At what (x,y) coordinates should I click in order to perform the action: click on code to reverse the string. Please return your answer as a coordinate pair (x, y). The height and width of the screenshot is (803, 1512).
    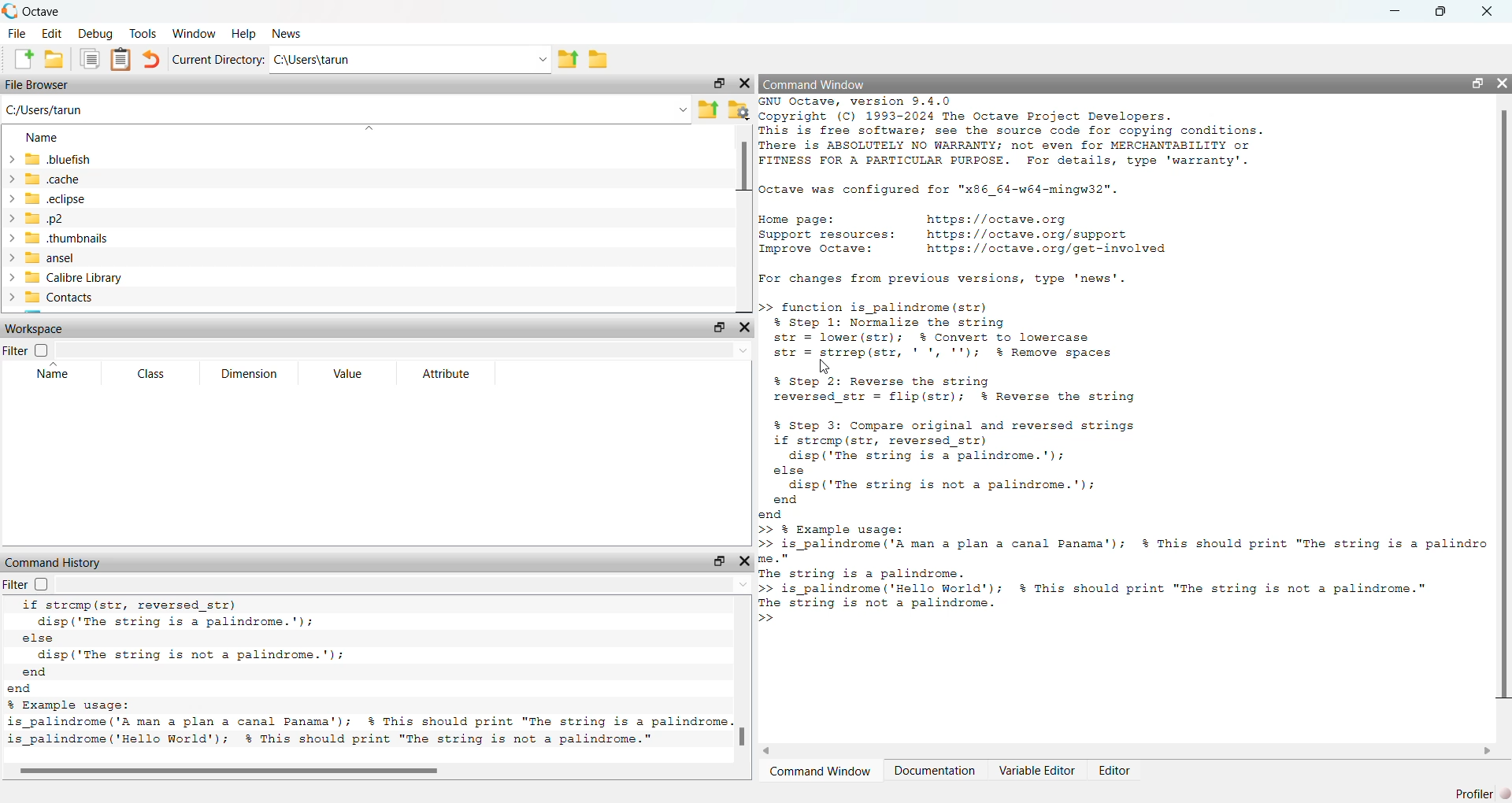
    Looking at the image, I should click on (970, 387).